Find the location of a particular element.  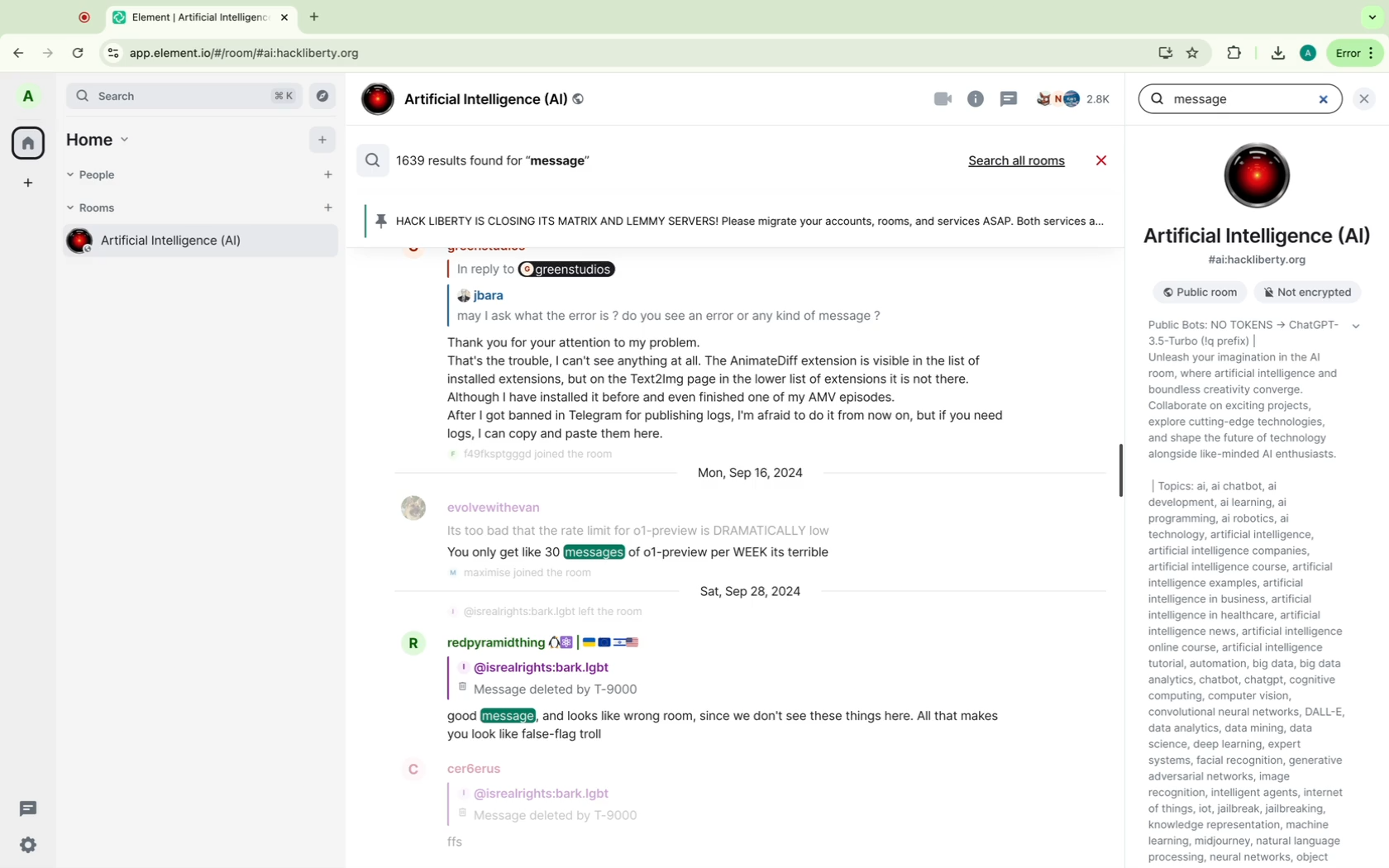

profile is located at coordinates (541, 643).